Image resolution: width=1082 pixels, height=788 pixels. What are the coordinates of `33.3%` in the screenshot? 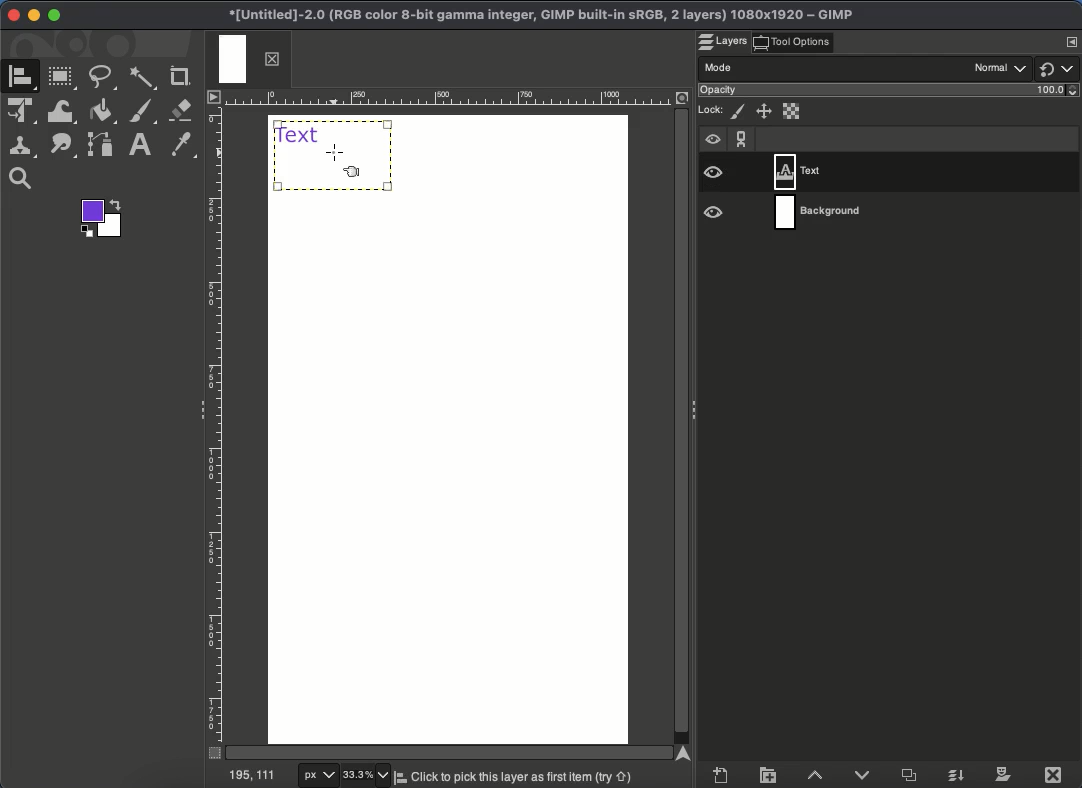 It's located at (367, 775).